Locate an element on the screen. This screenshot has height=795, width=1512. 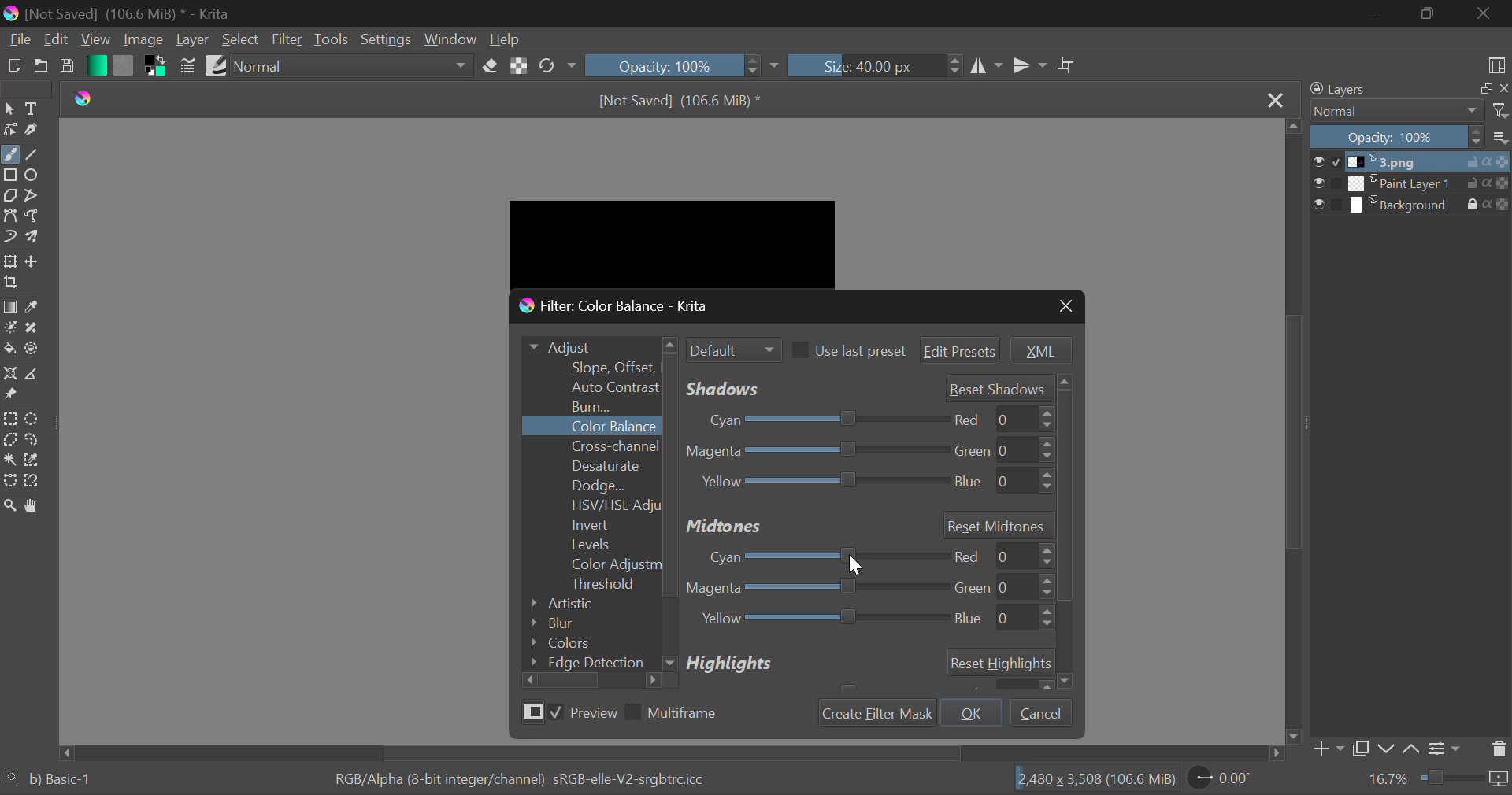
Vertical Mirror Flip is located at coordinates (987, 65).